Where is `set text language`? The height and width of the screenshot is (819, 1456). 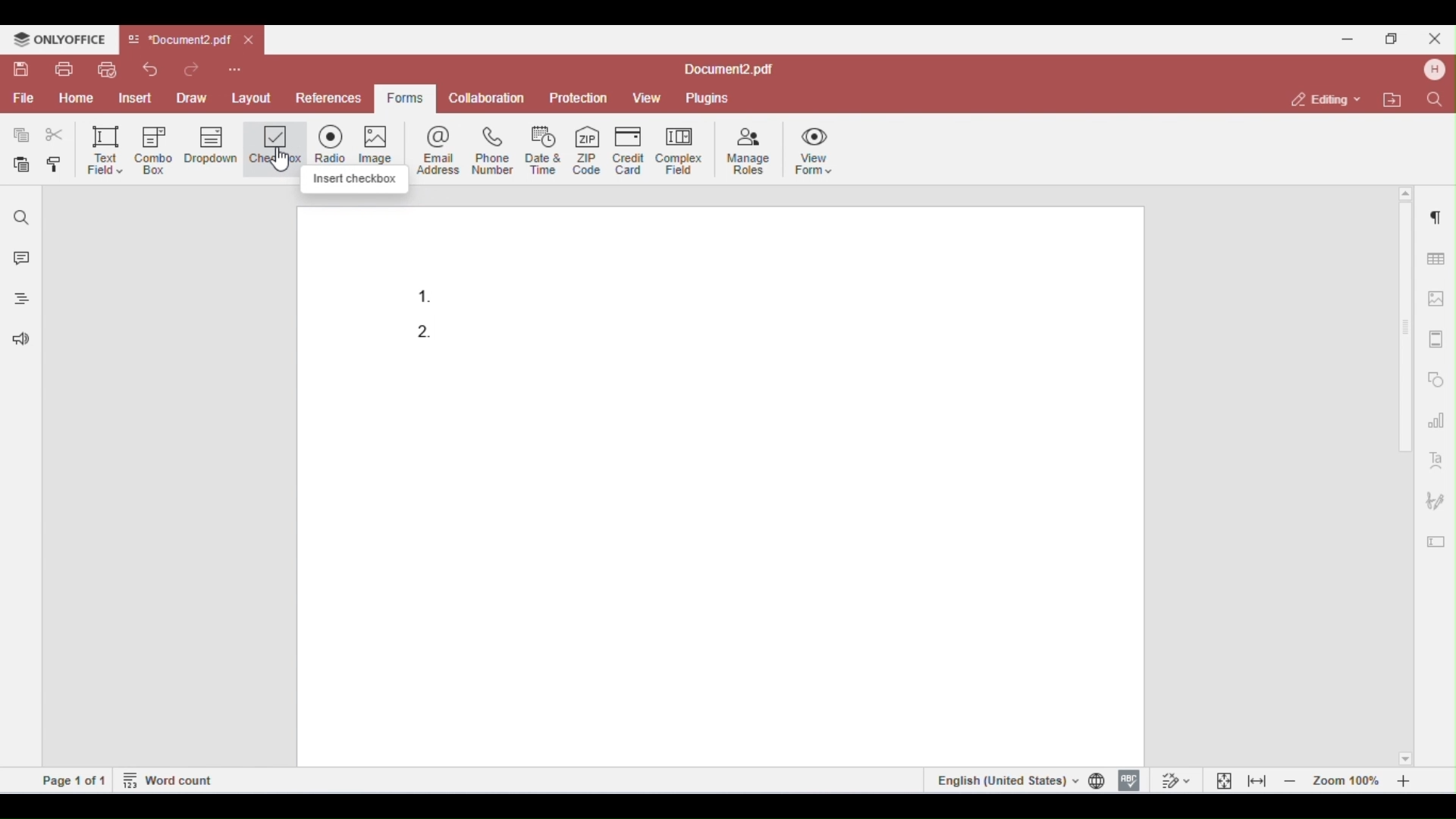
set text language is located at coordinates (1005, 780).